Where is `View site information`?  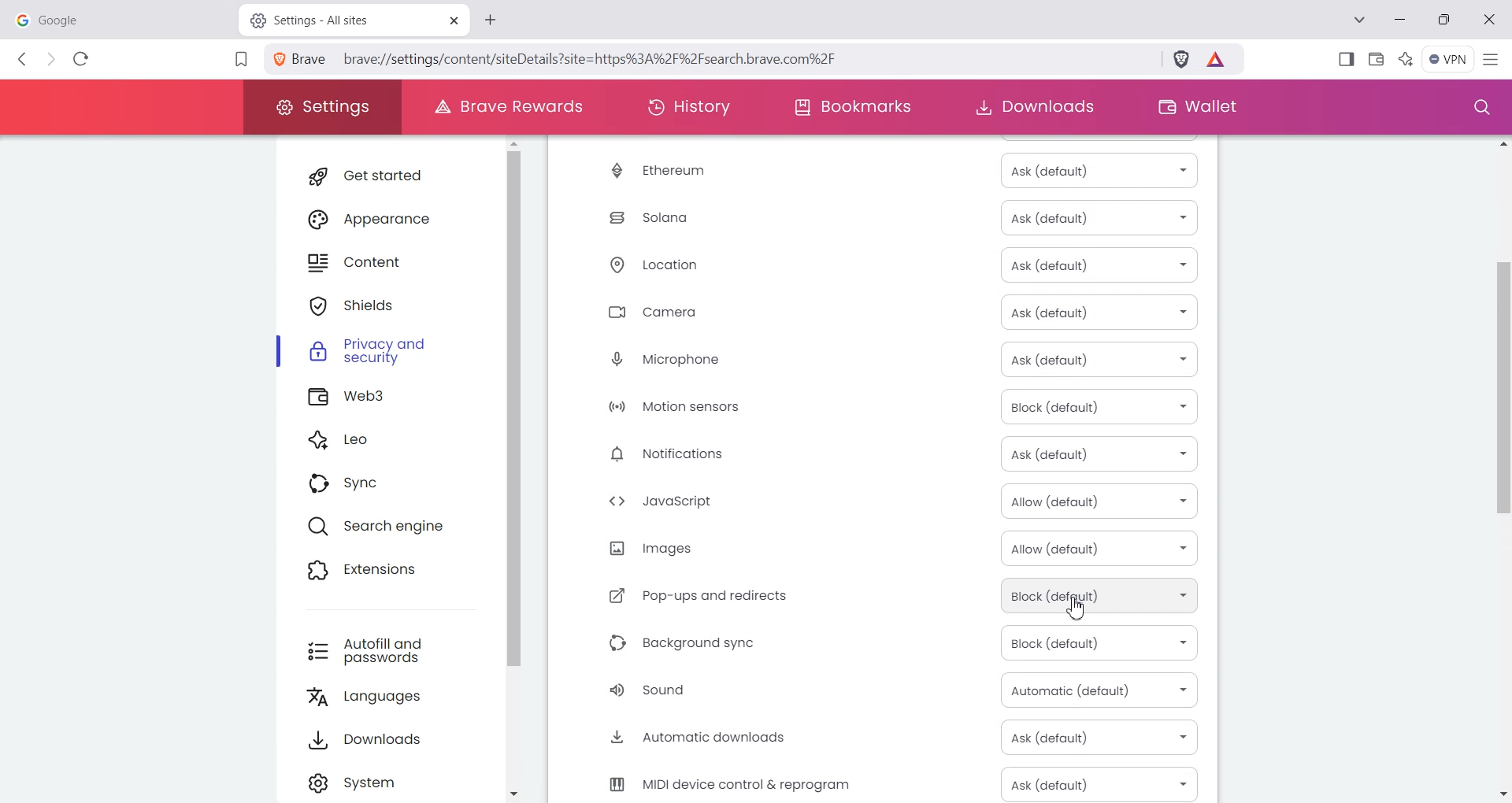
View site information is located at coordinates (302, 59).